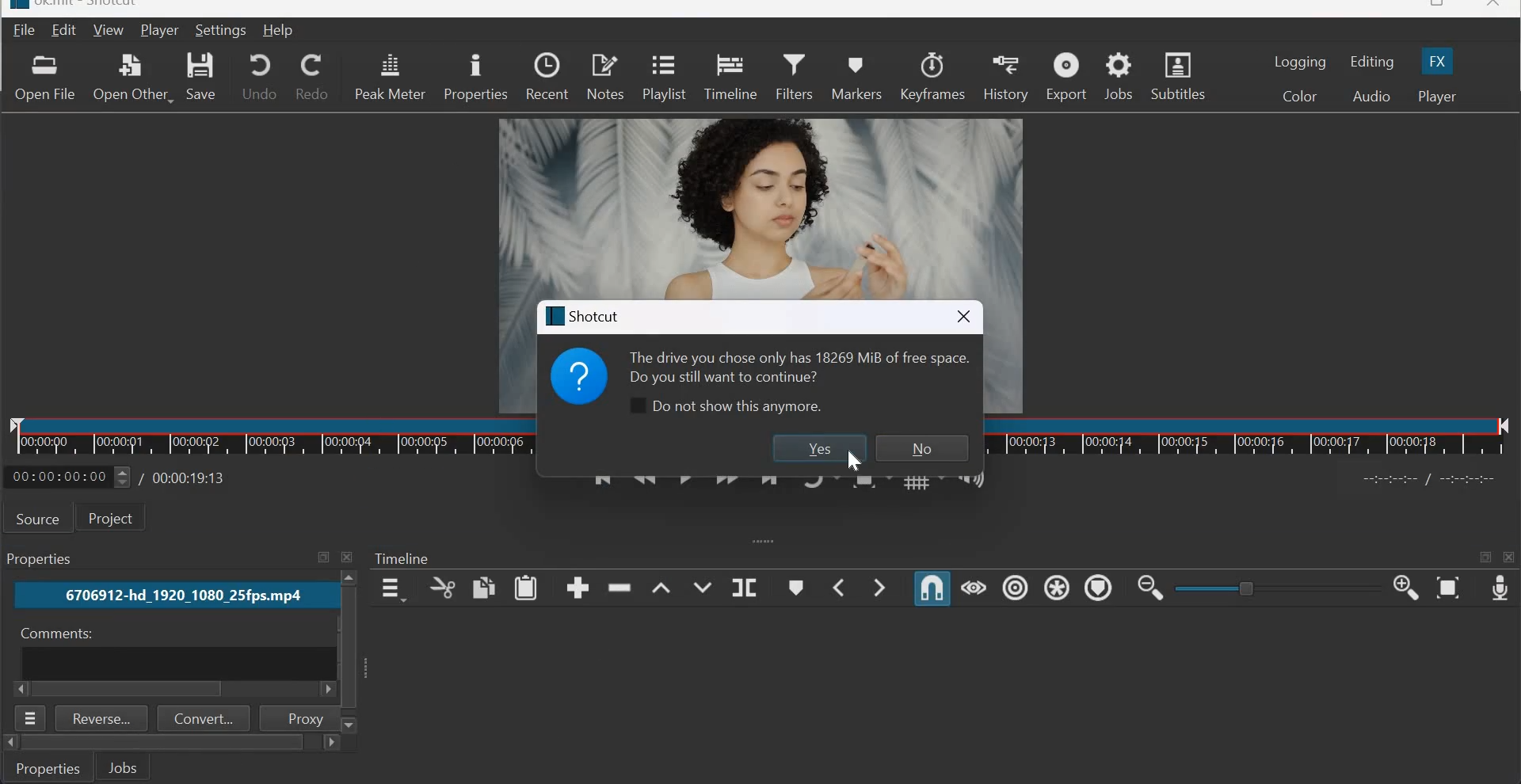 This screenshot has height=784, width=1521. What do you see at coordinates (390, 77) in the screenshot?
I see `Peak meter` at bounding box center [390, 77].